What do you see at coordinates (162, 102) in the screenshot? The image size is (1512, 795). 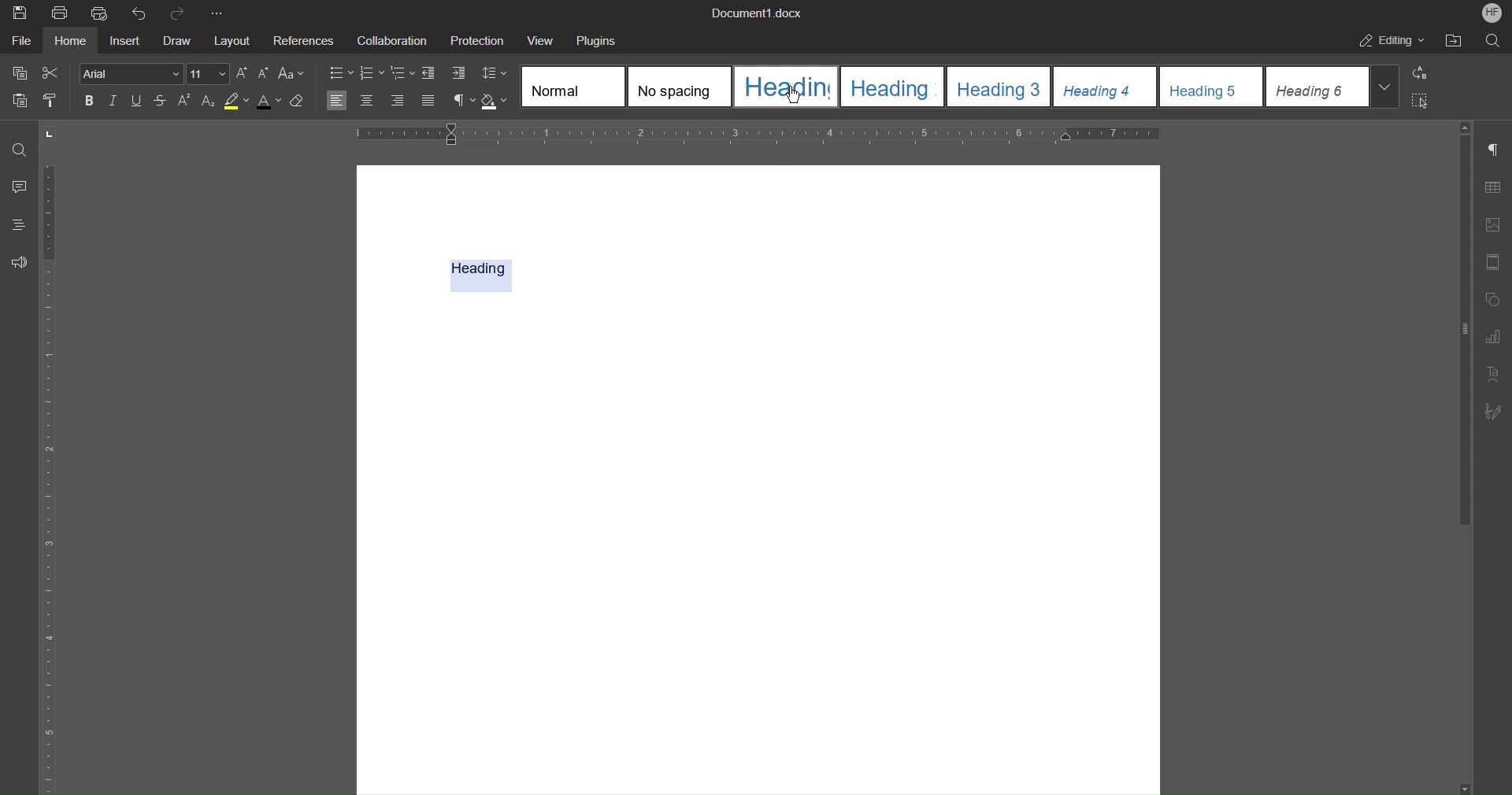 I see `Strikethrough` at bounding box center [162, 102].